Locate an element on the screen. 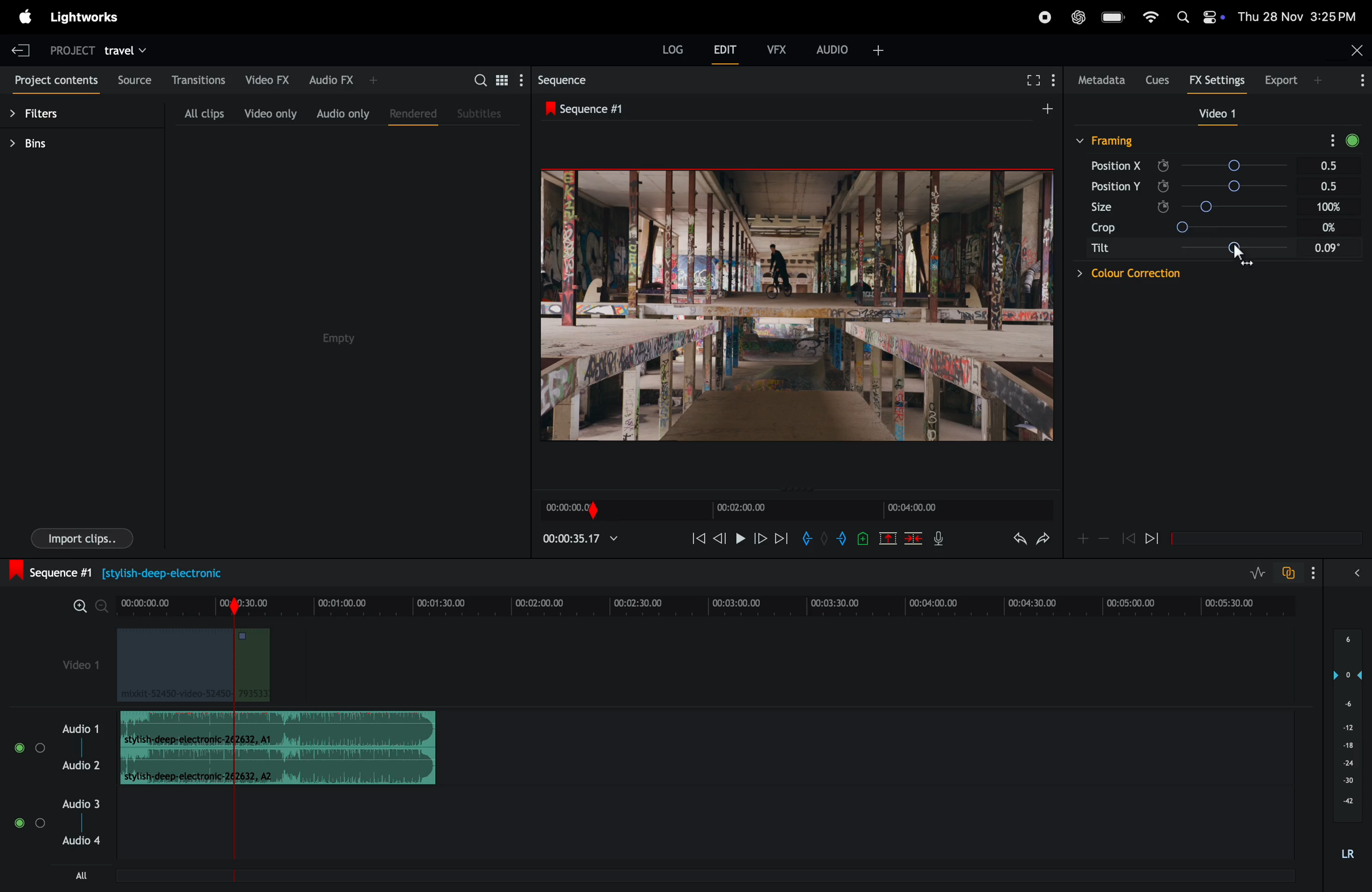  toggle audio levels is located at coordinates (1255, 571).